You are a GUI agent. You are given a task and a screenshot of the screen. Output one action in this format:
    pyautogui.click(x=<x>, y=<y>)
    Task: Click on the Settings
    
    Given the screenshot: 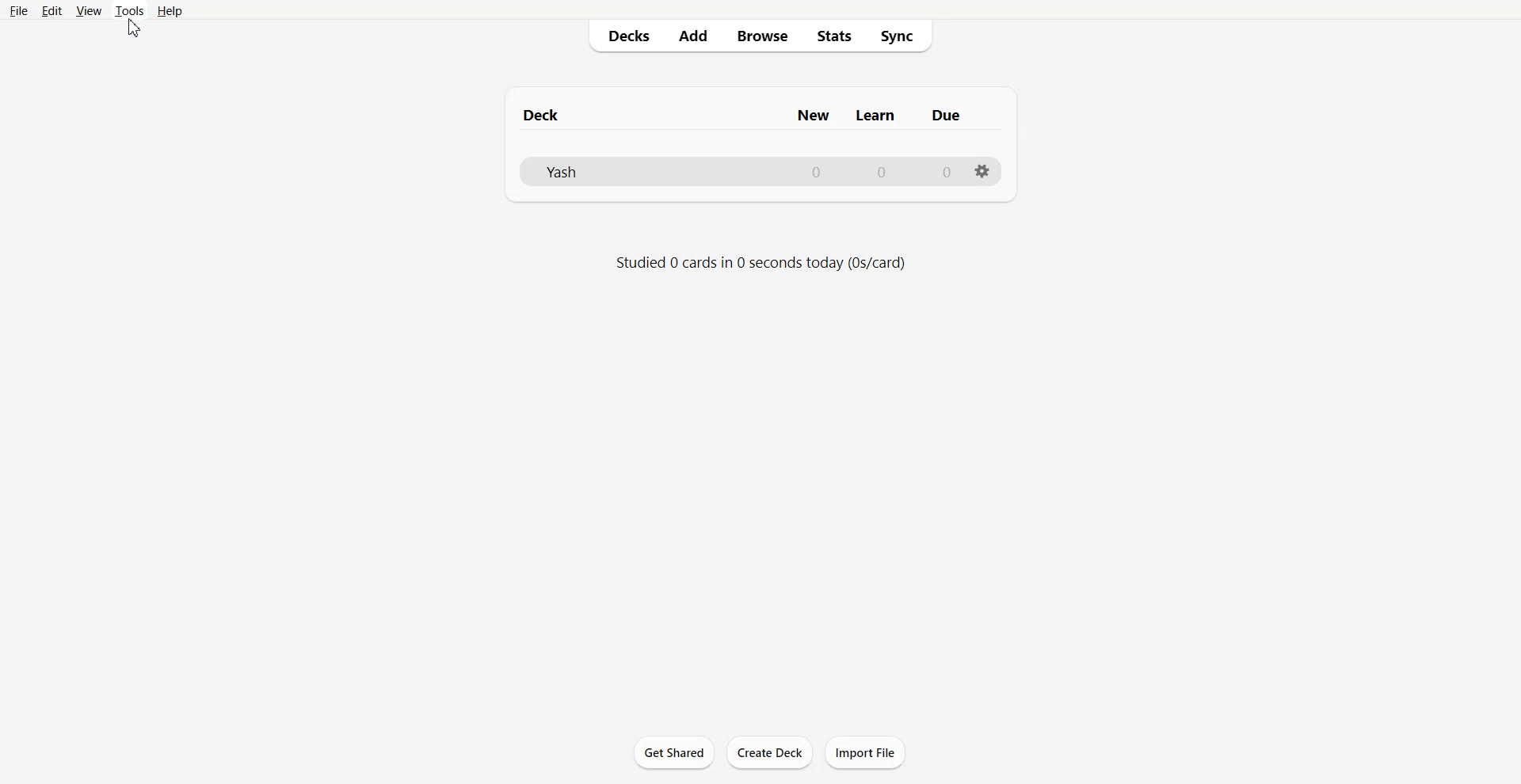 What is the action you would take?
    pyautogui.click(x=983, y=171)
    